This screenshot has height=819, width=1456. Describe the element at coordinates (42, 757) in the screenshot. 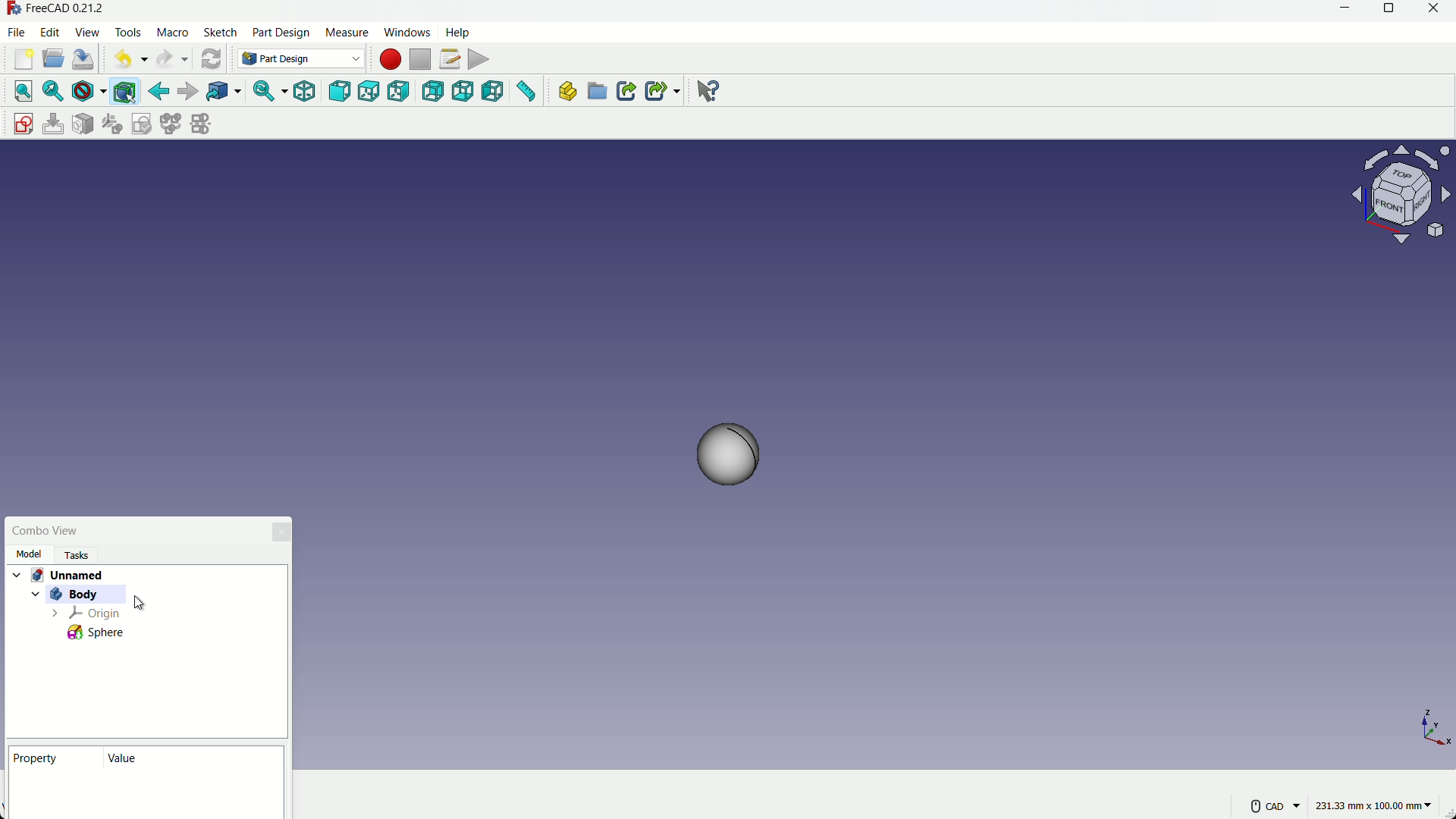

I see `Property` at that location.